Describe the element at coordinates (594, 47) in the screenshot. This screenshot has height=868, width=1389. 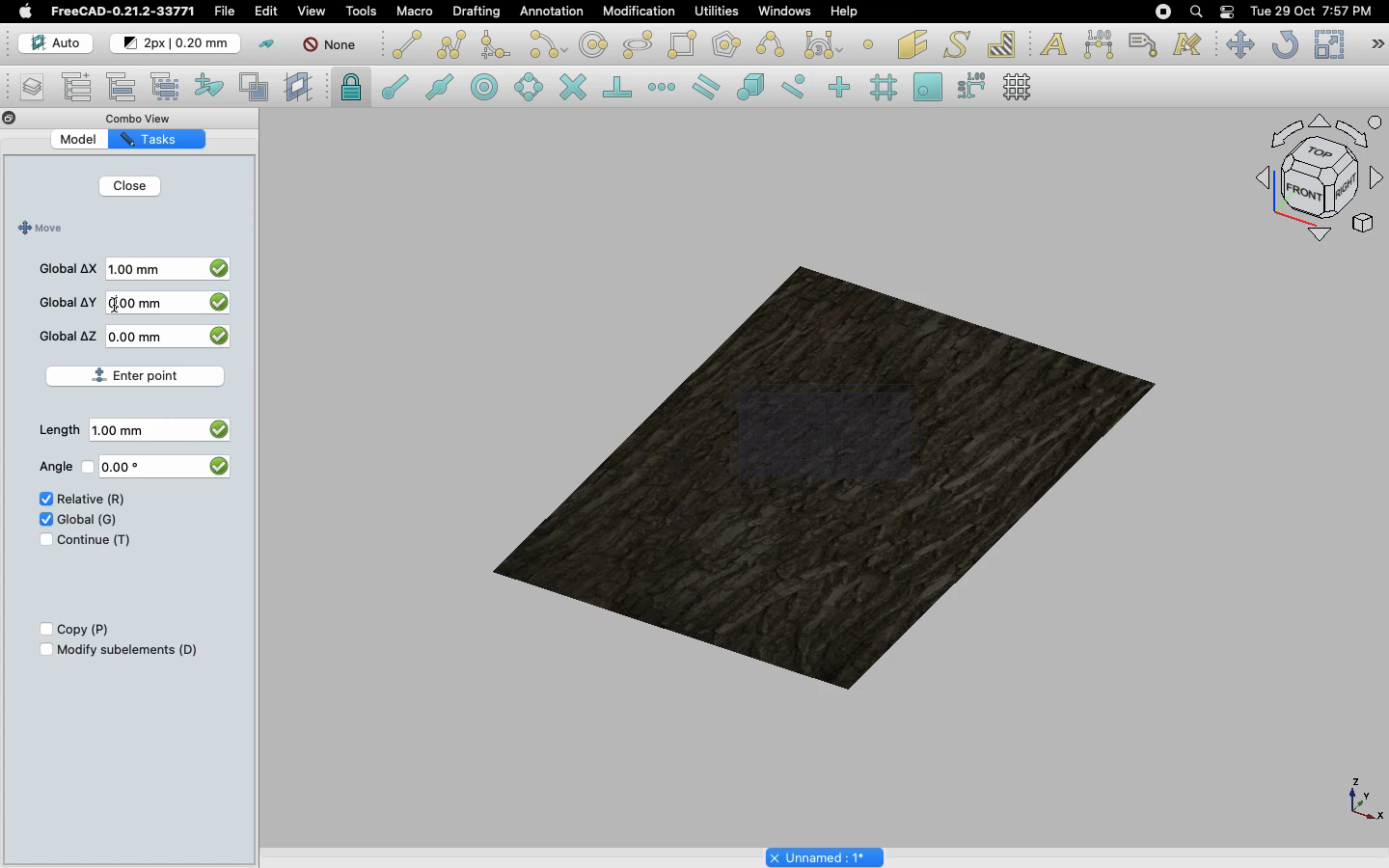
I see `Circle` at that location.